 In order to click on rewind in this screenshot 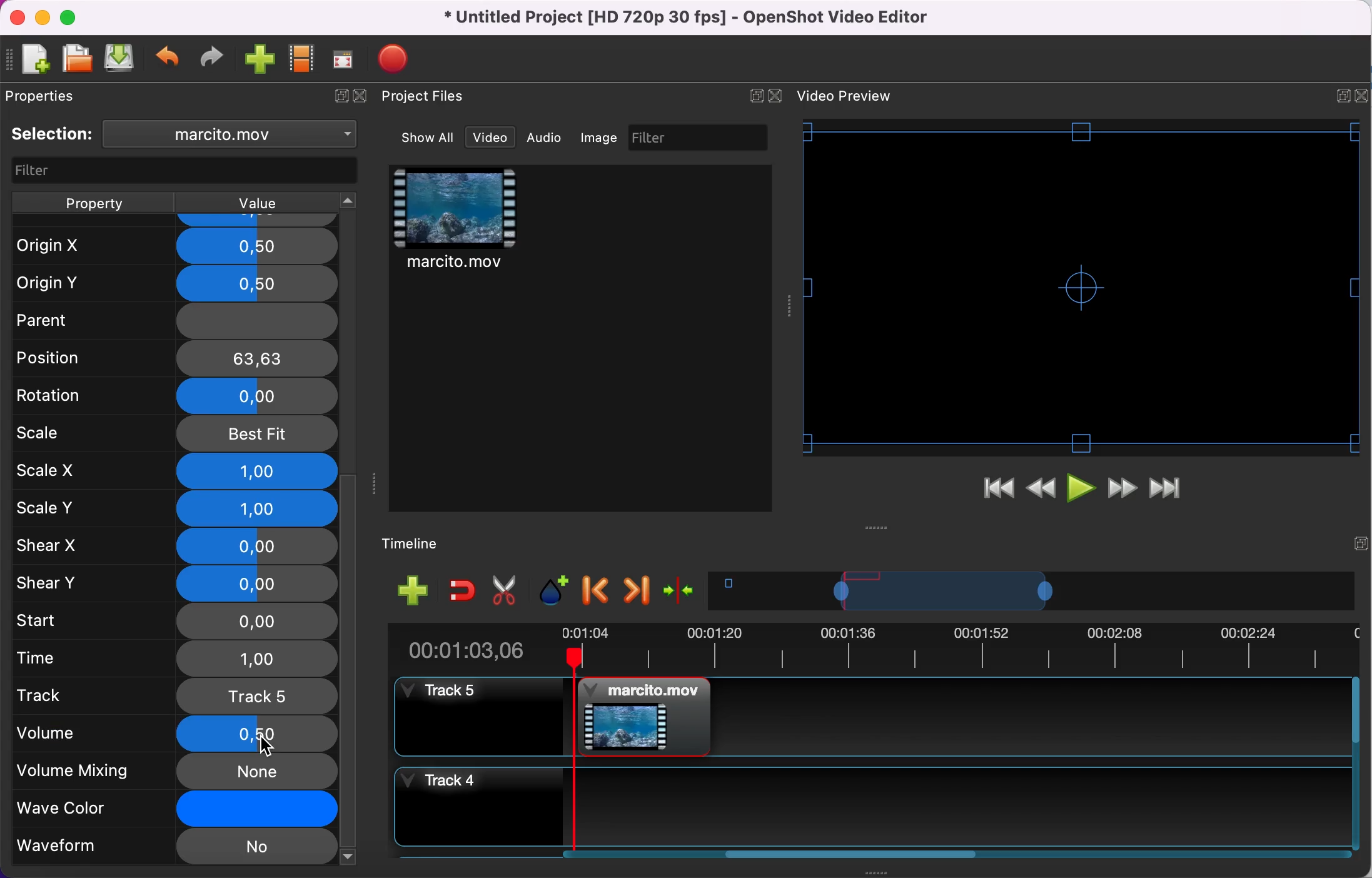, I will do `click(1042, 492)`.